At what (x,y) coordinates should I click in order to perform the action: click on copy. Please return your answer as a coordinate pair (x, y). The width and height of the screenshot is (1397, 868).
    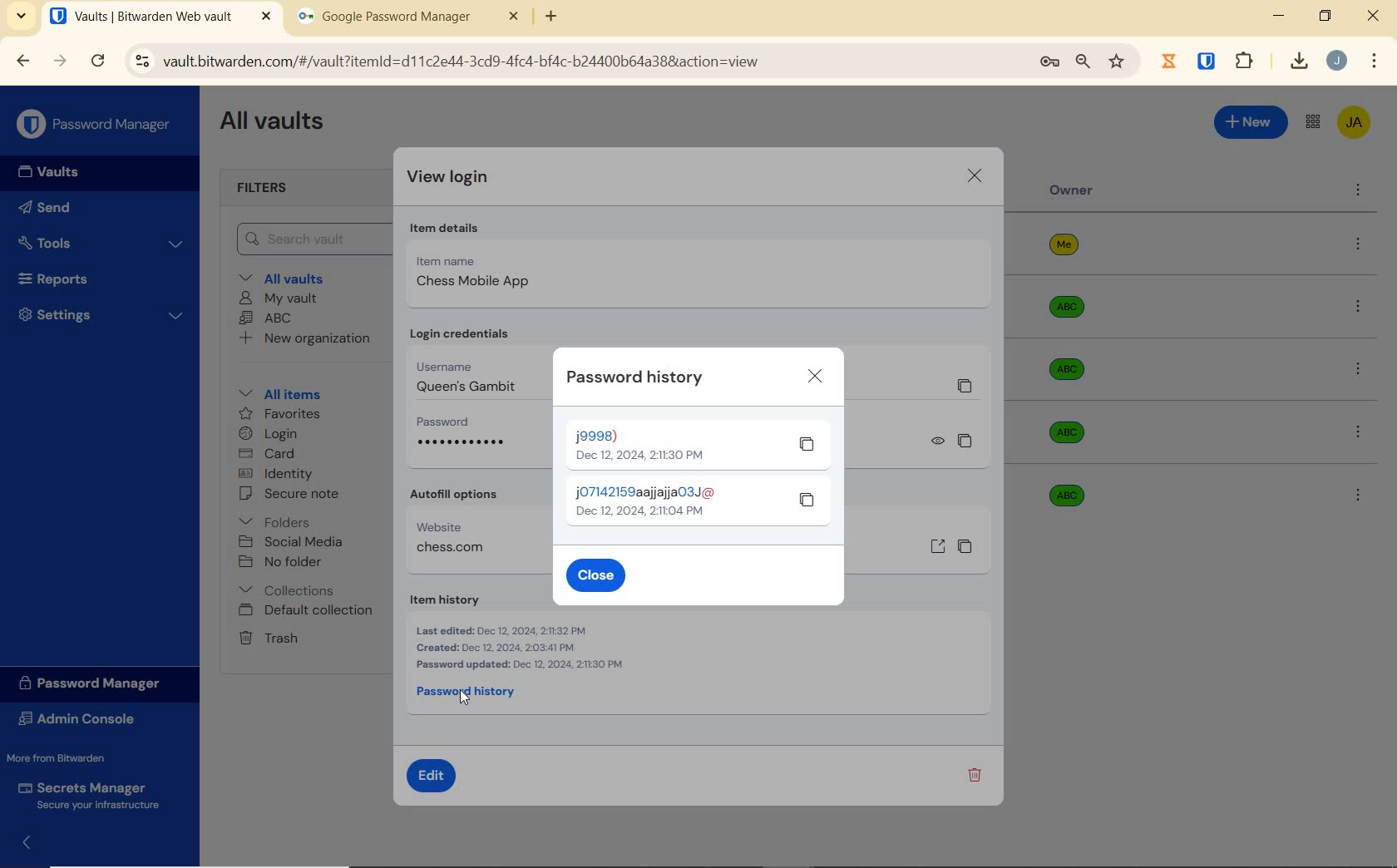
    Looking at the image, I should click on (807, 447).